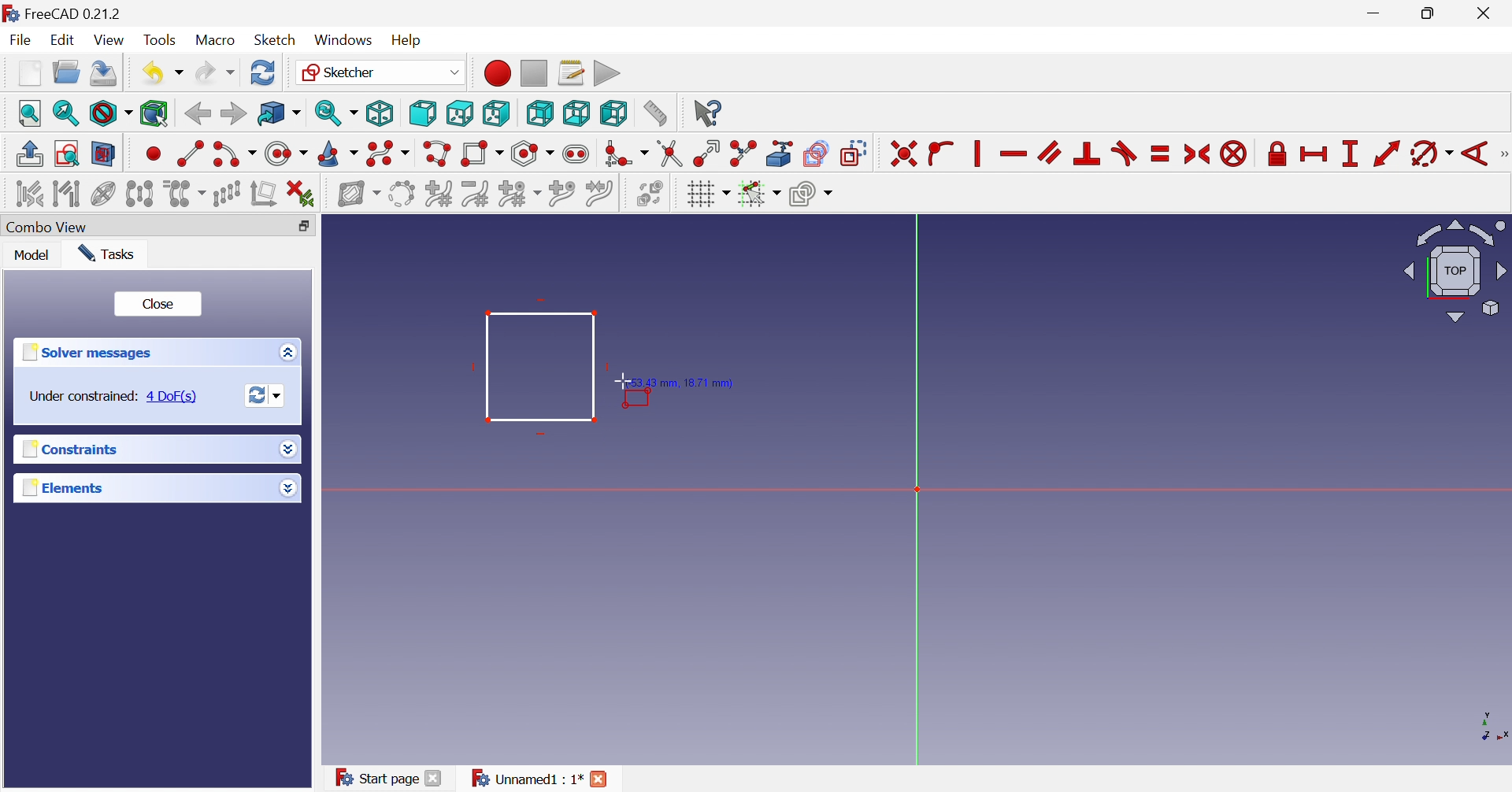 This screenshot has height=792, width=1512. What do you see at coordinates (461, 113) in the screenshot?
I see `Top` at bounding box center [461, 113].